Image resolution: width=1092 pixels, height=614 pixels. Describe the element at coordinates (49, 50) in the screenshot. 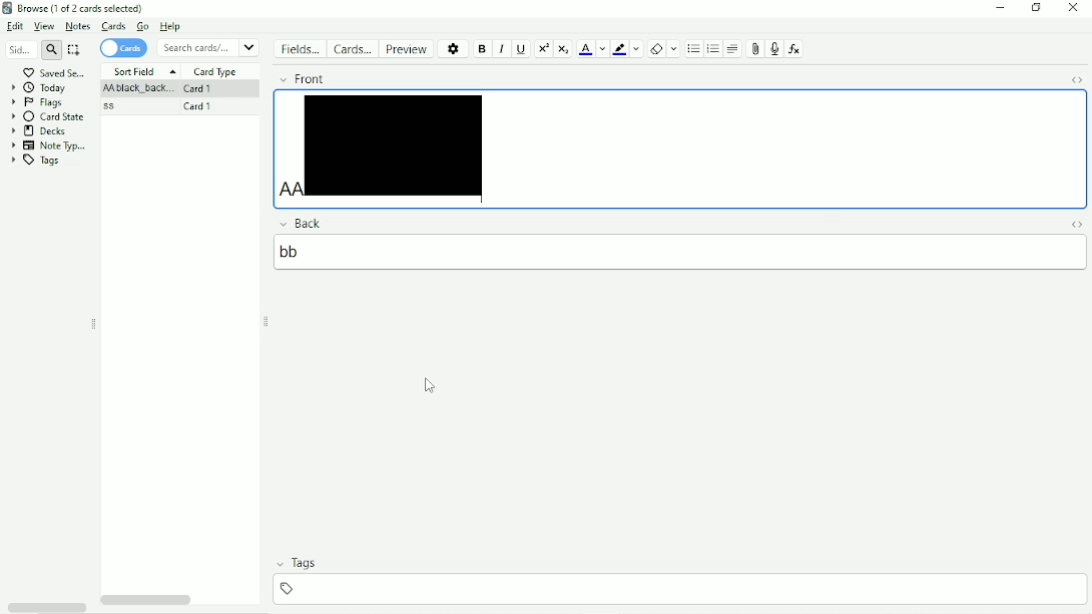

I see `search` at that location.